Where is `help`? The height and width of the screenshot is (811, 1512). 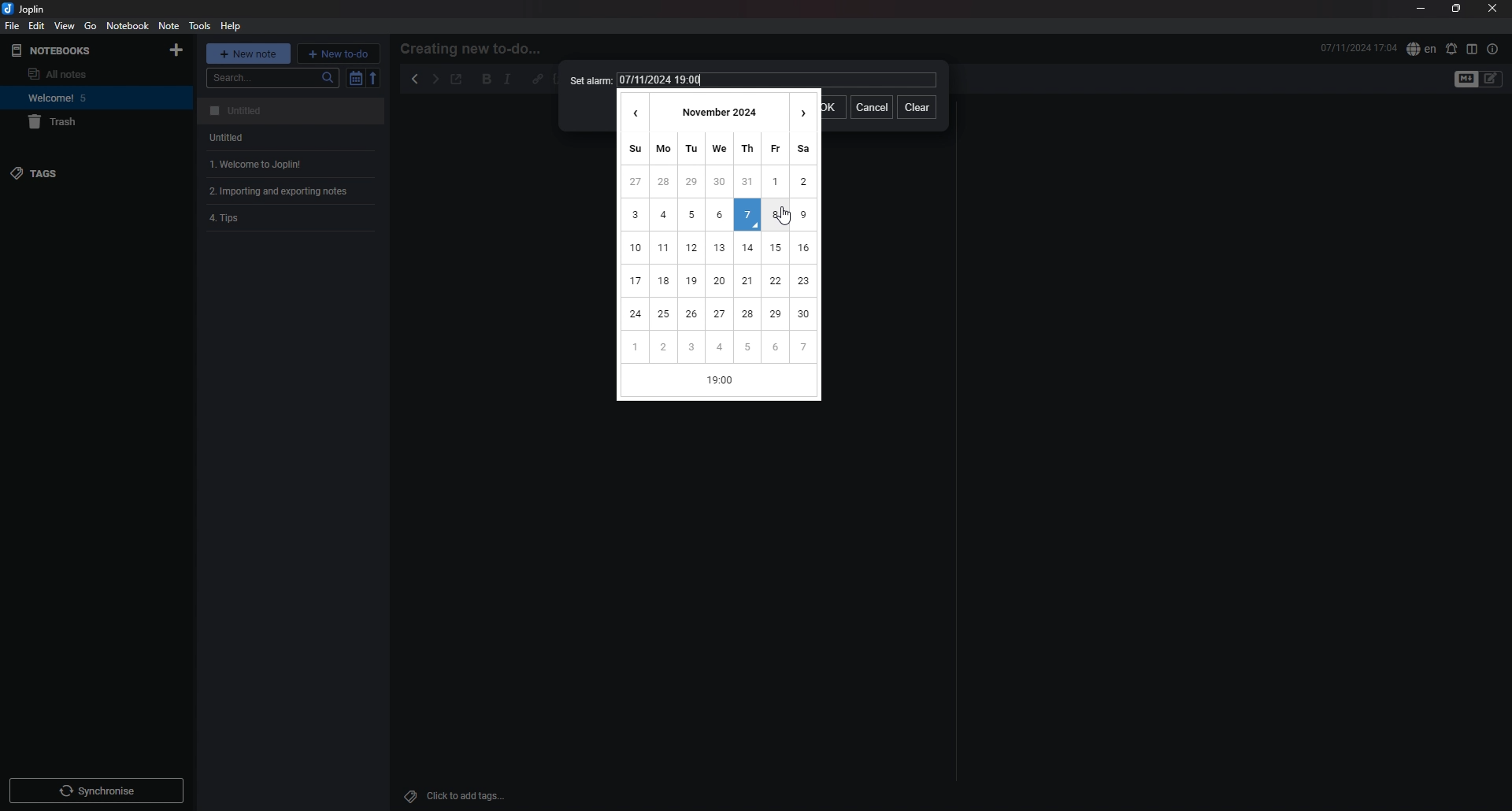
help is located at coordinates (232, 27).